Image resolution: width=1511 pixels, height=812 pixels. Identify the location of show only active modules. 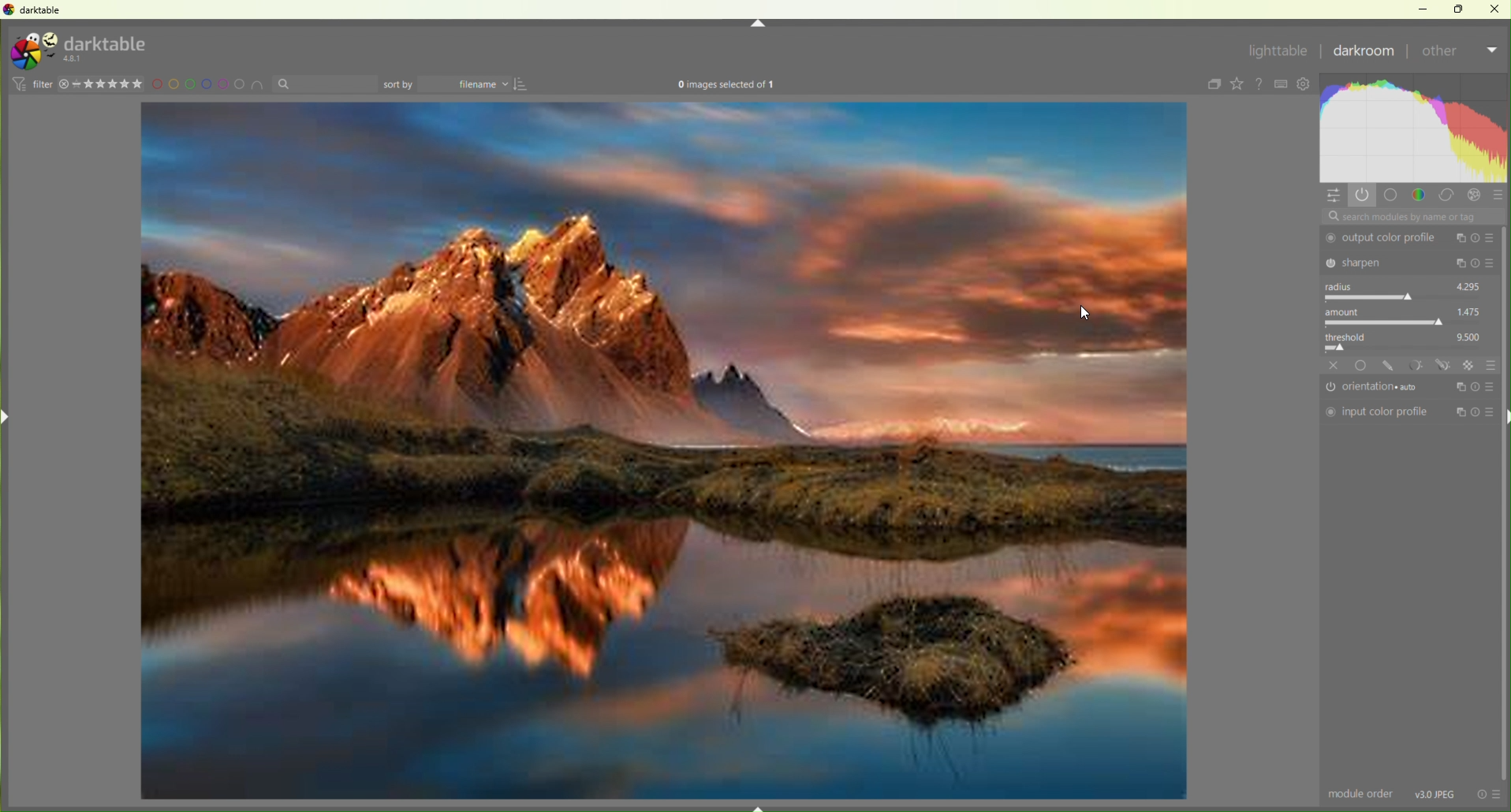
(1364, 195).